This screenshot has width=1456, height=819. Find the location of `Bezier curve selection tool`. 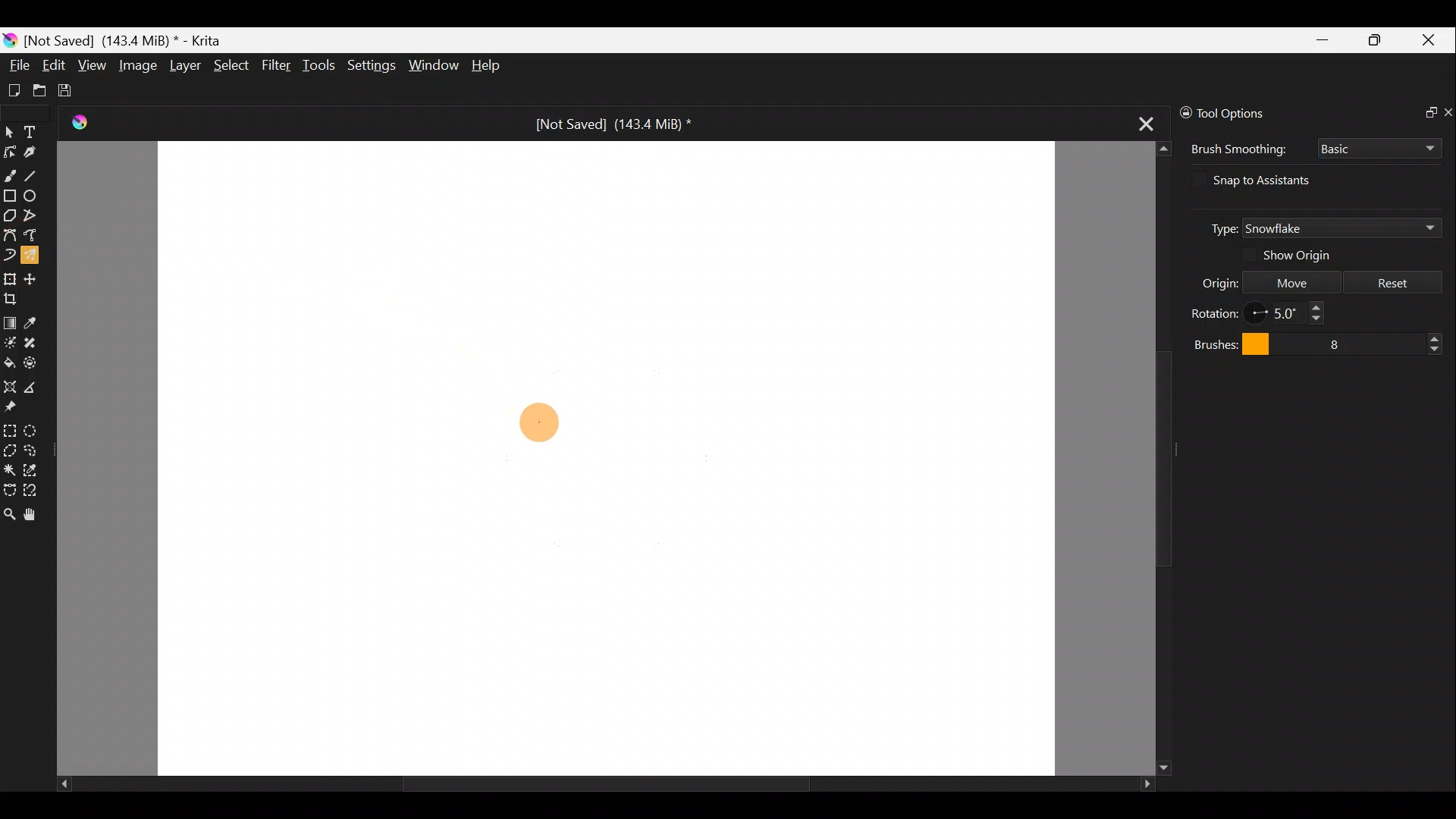

Bezier curve selection tool is located at coordinates (9, 490).